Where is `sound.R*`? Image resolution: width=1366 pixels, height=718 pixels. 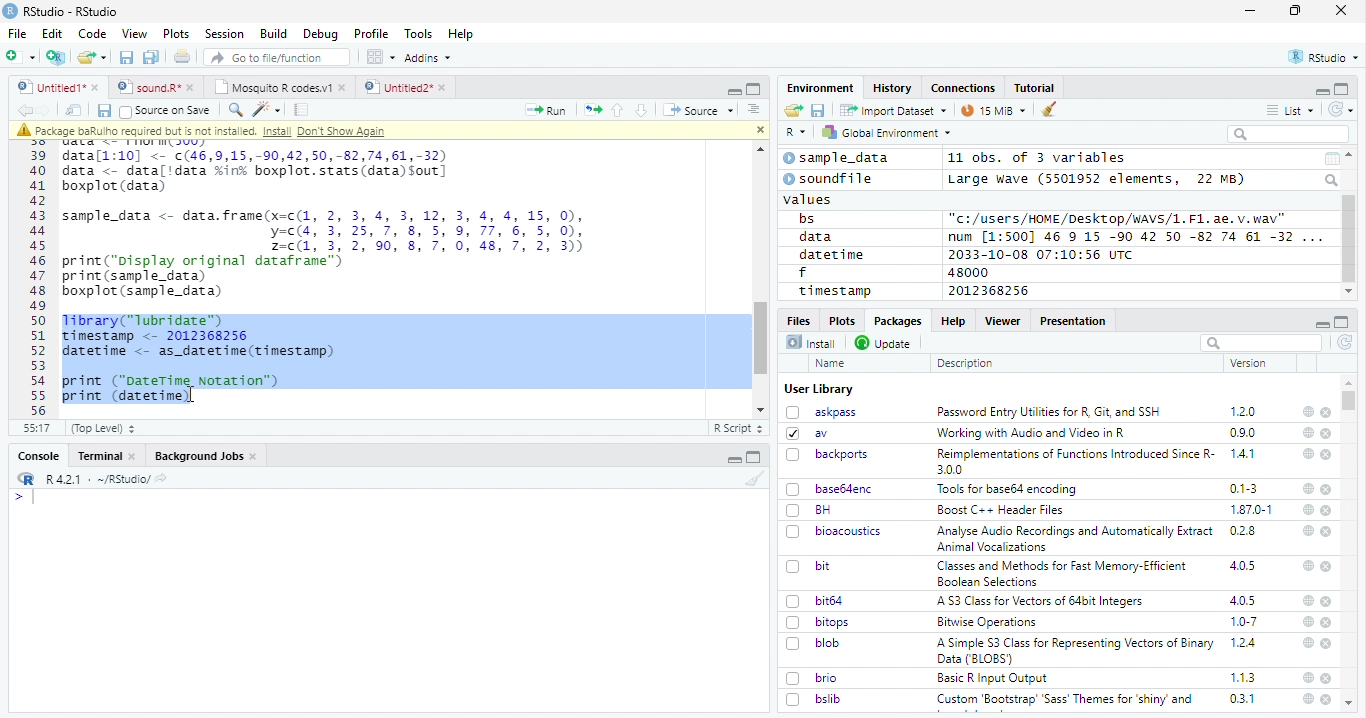
sound.R* is located at coordinates (156, 88).